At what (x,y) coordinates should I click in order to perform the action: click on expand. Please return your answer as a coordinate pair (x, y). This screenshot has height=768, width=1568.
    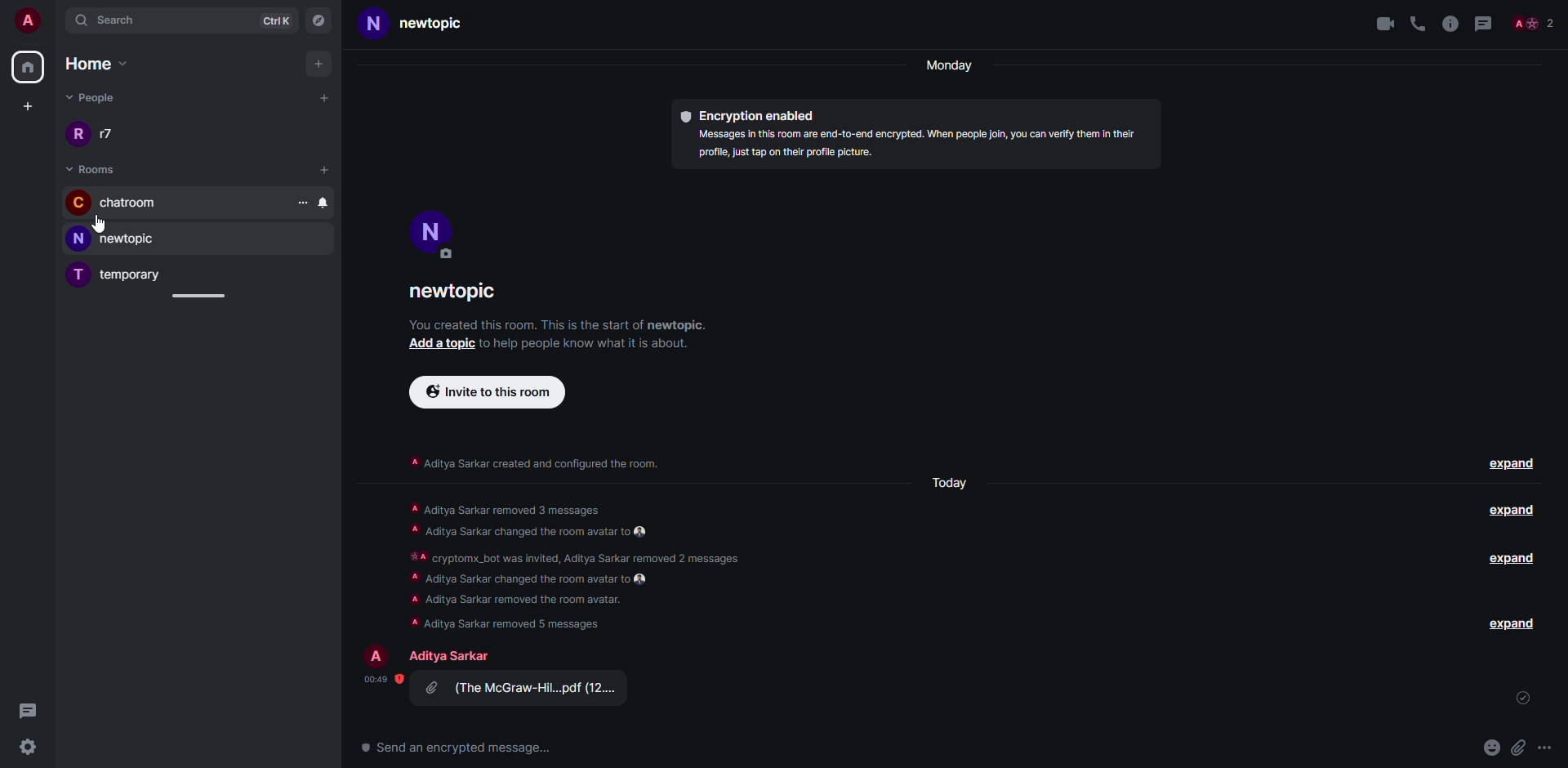
    Looking at the image, I should click on (1516, 465).